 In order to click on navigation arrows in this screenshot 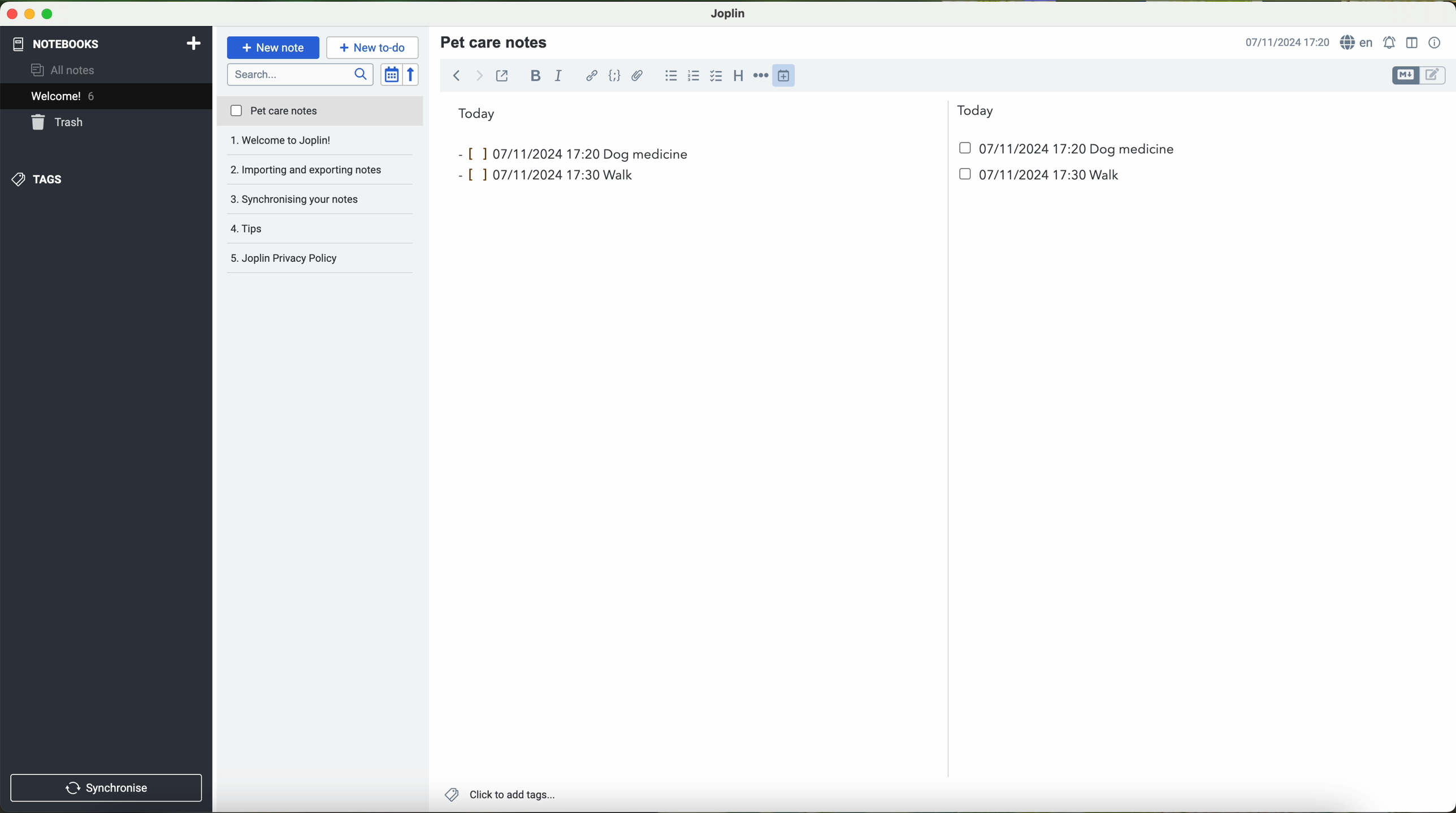, I will do `click(466, 75)`.